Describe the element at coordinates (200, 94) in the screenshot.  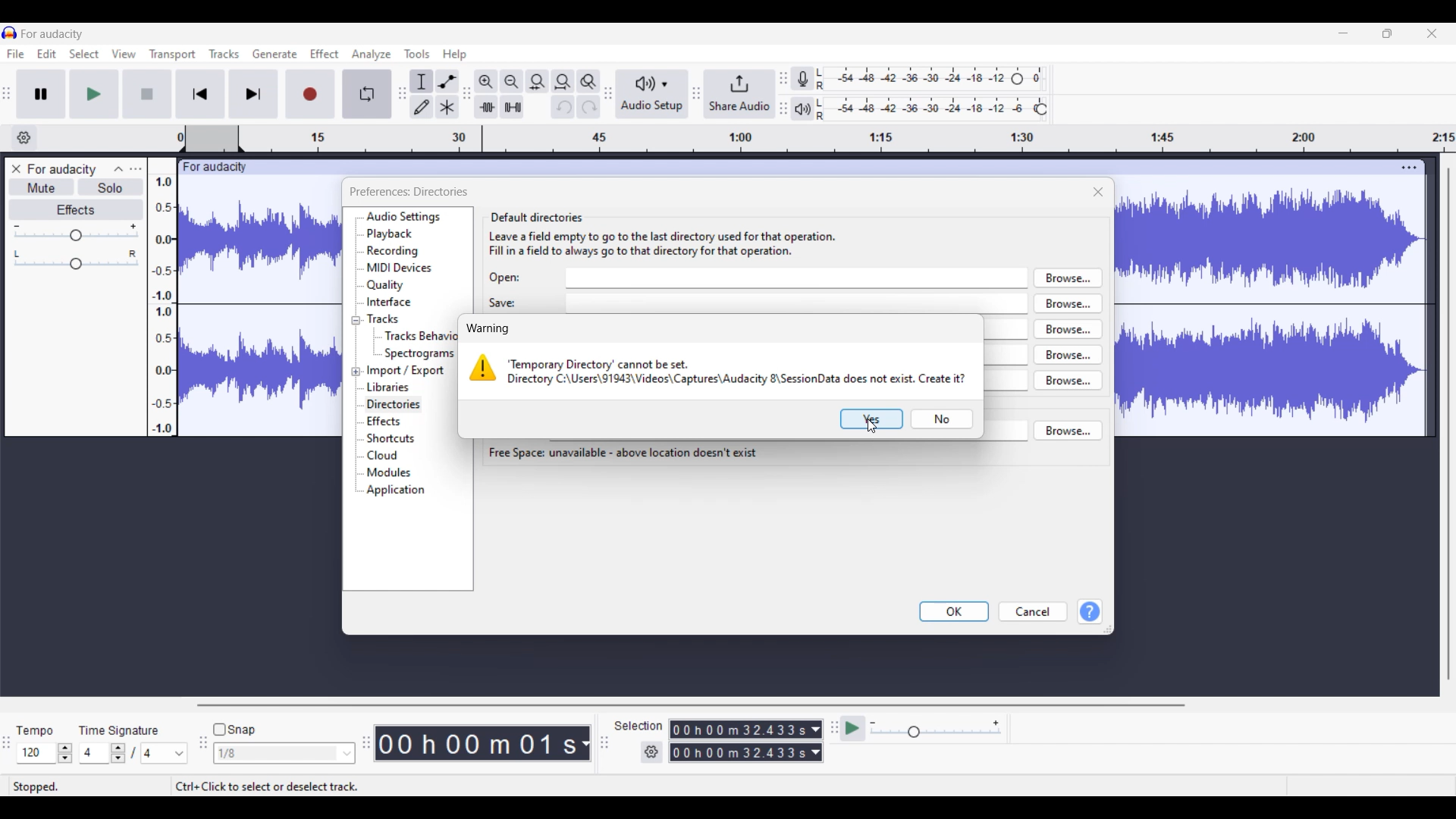
I see `Skip/Select to start` at that location.